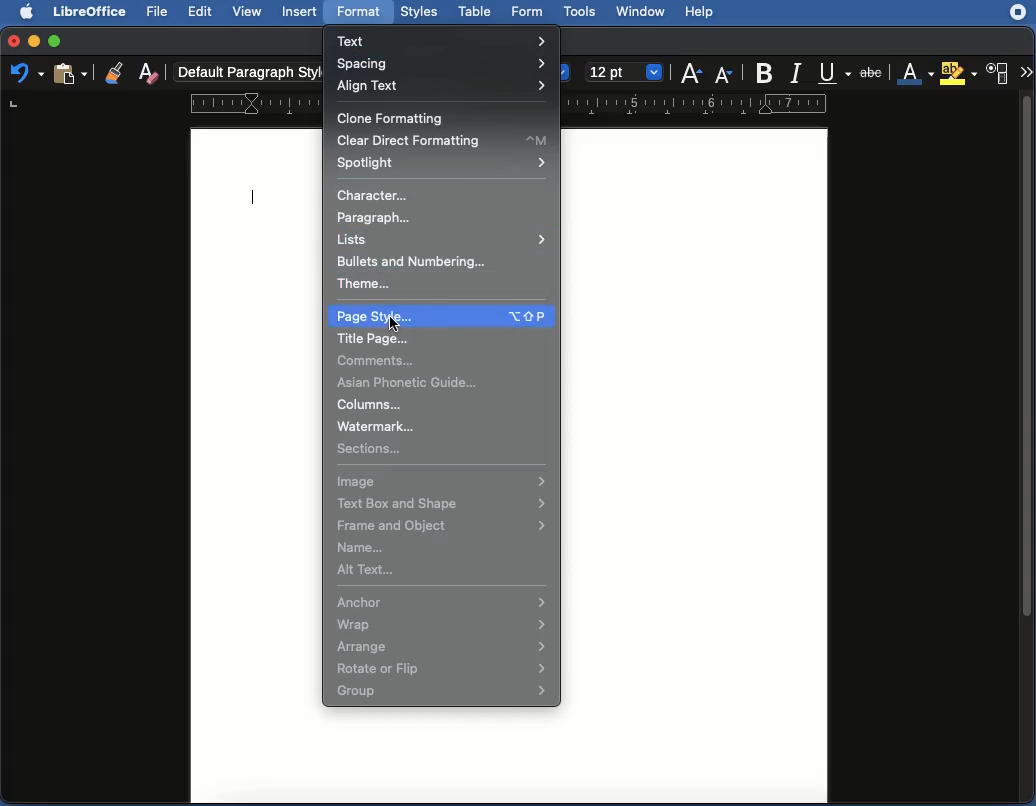 Image resolution: width=1036 pixels, height=806 pixels. What do you see at coordinates (245, 72) in the screenshot?
I see `Paragraph style` at bounding box center [245, 72].